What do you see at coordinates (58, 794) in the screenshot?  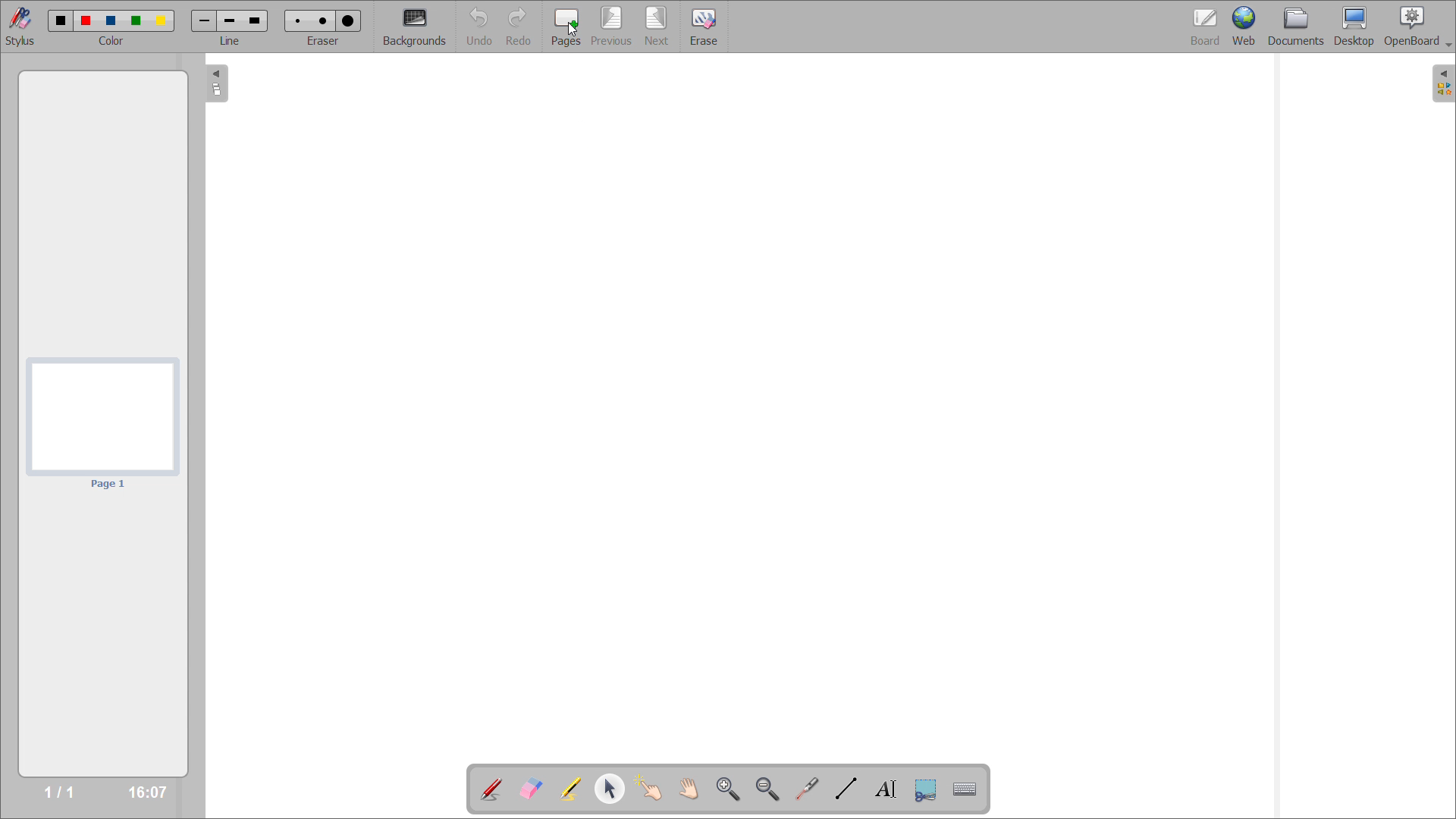 I see `1/1(page count)` at bounding box center [58, 794].